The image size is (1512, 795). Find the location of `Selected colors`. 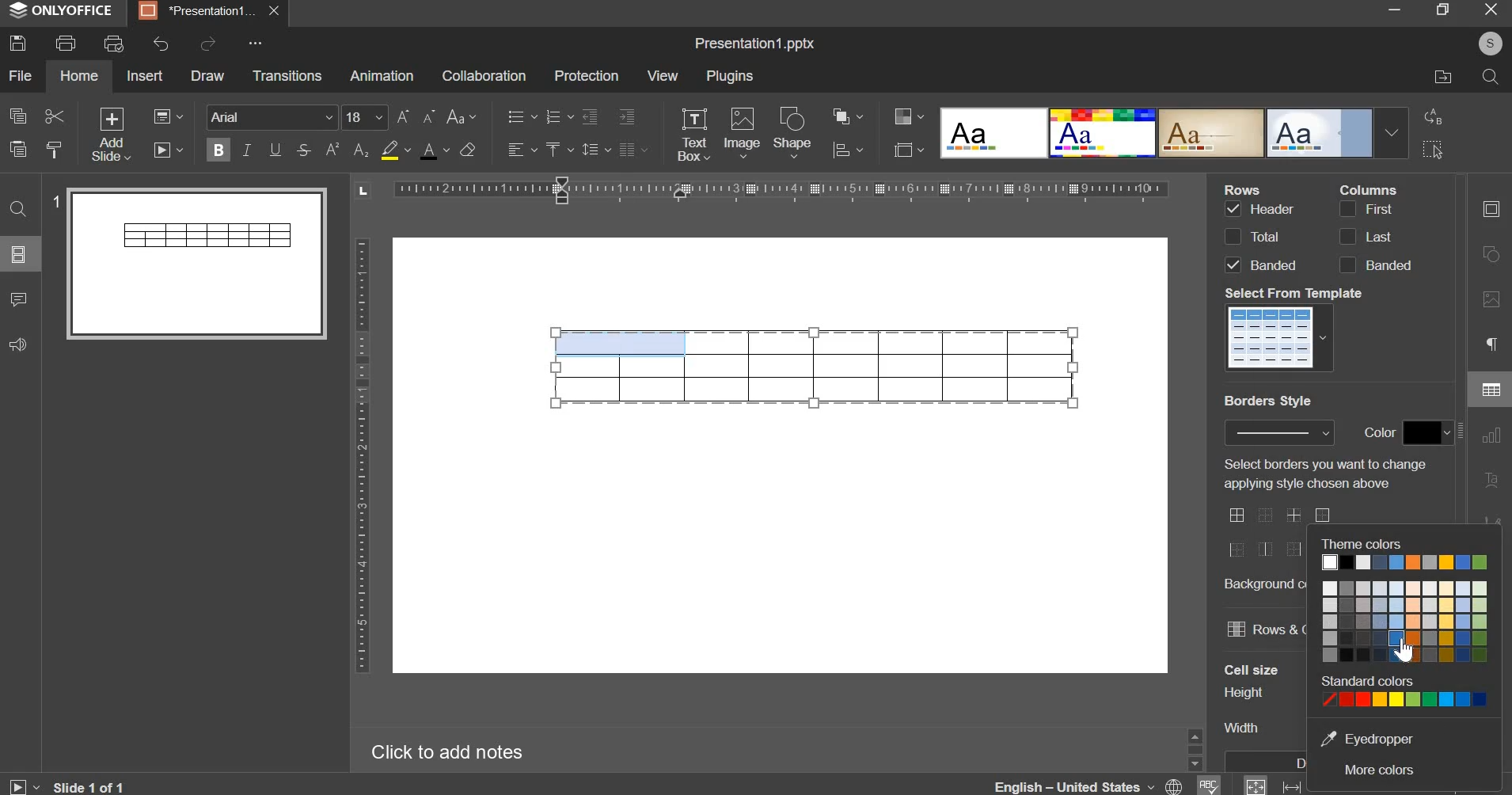

Selected colors is located at coordinates (1406, 690).